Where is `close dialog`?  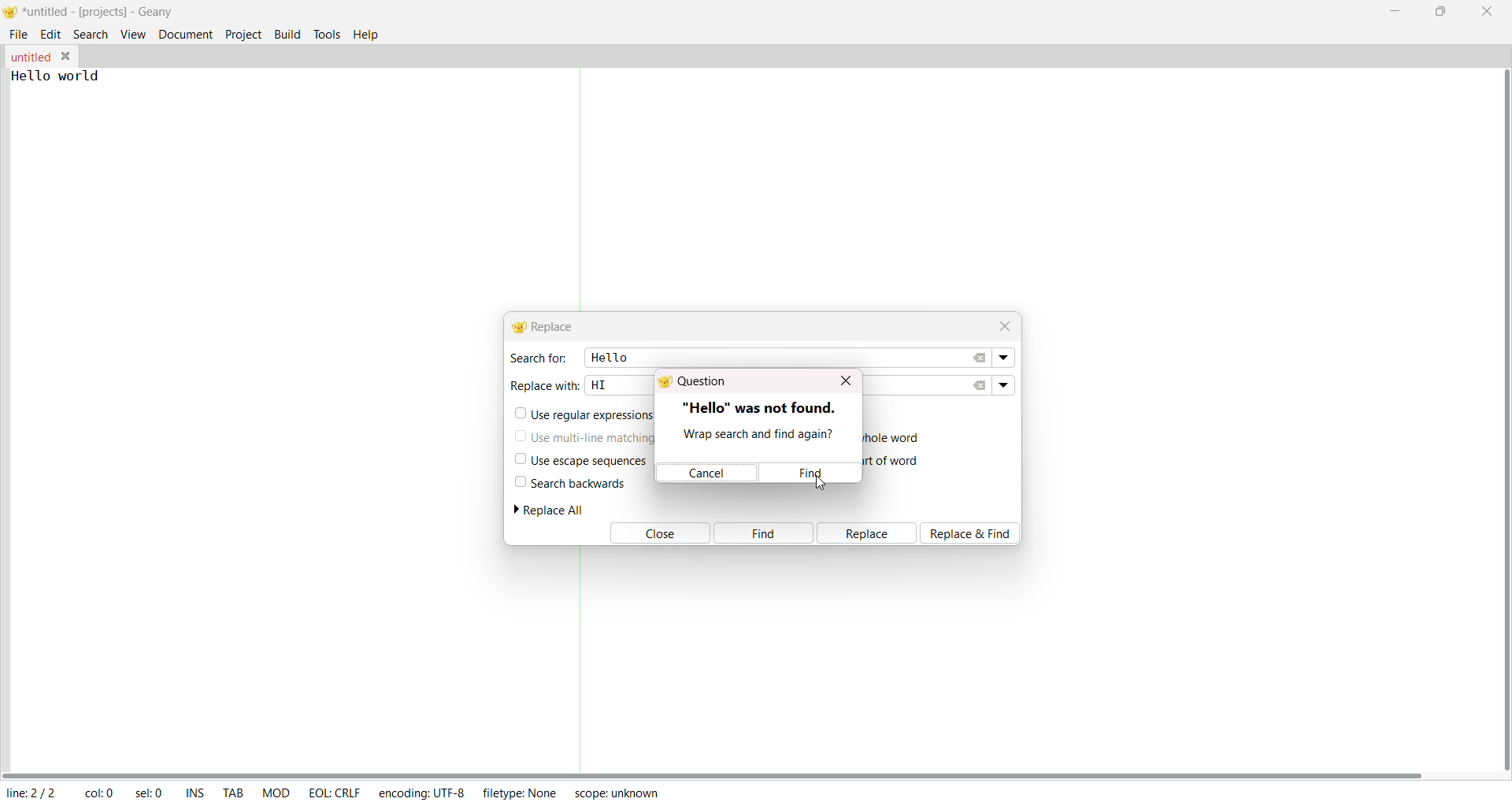 close dialog is located at coordinates (844, 381).